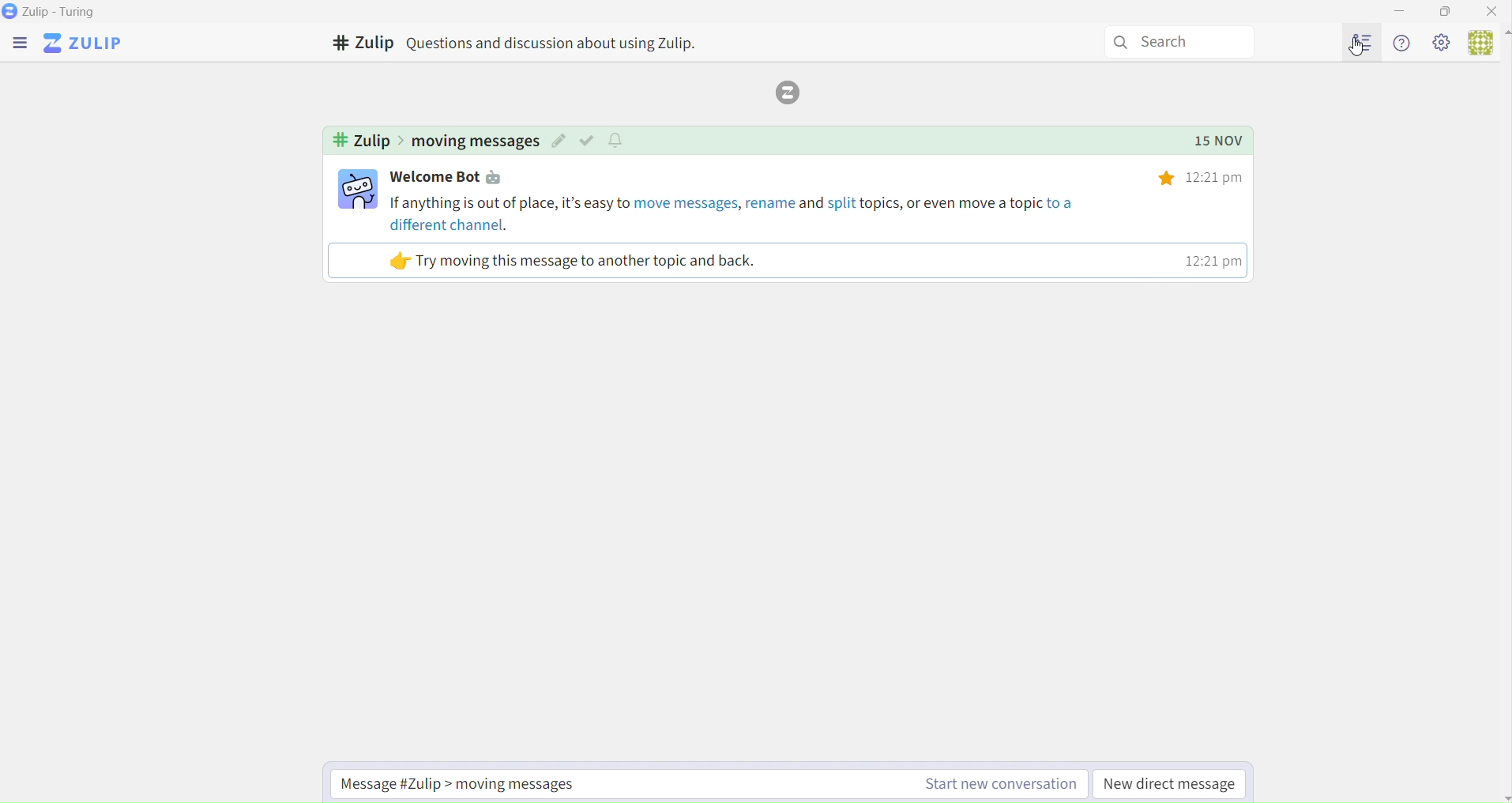 The image size is (1512, 803). Describe the element at coordinates (559, 141) in the screenshot. I see `edit` at that location.